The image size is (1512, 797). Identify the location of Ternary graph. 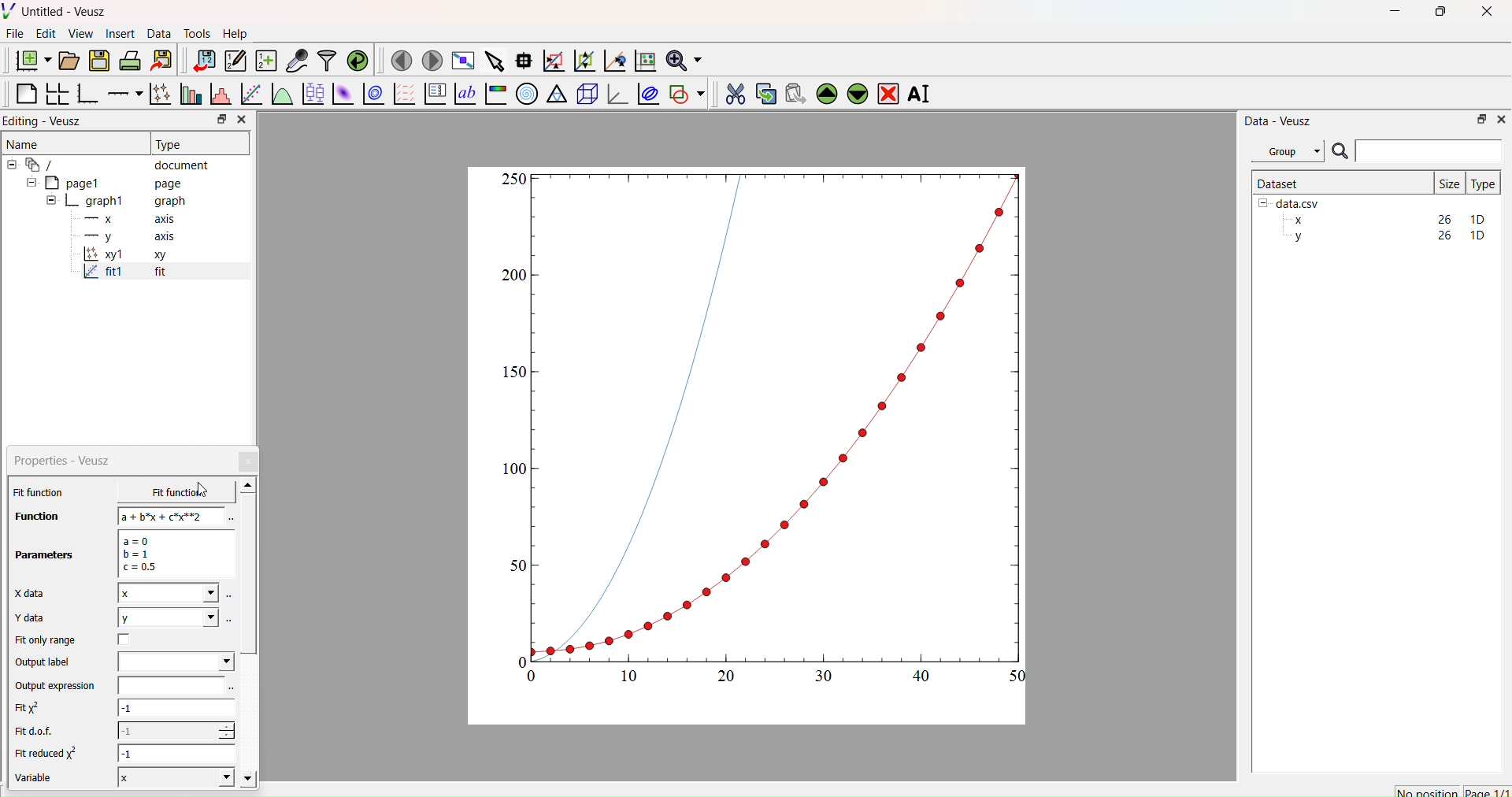
(558, 93).